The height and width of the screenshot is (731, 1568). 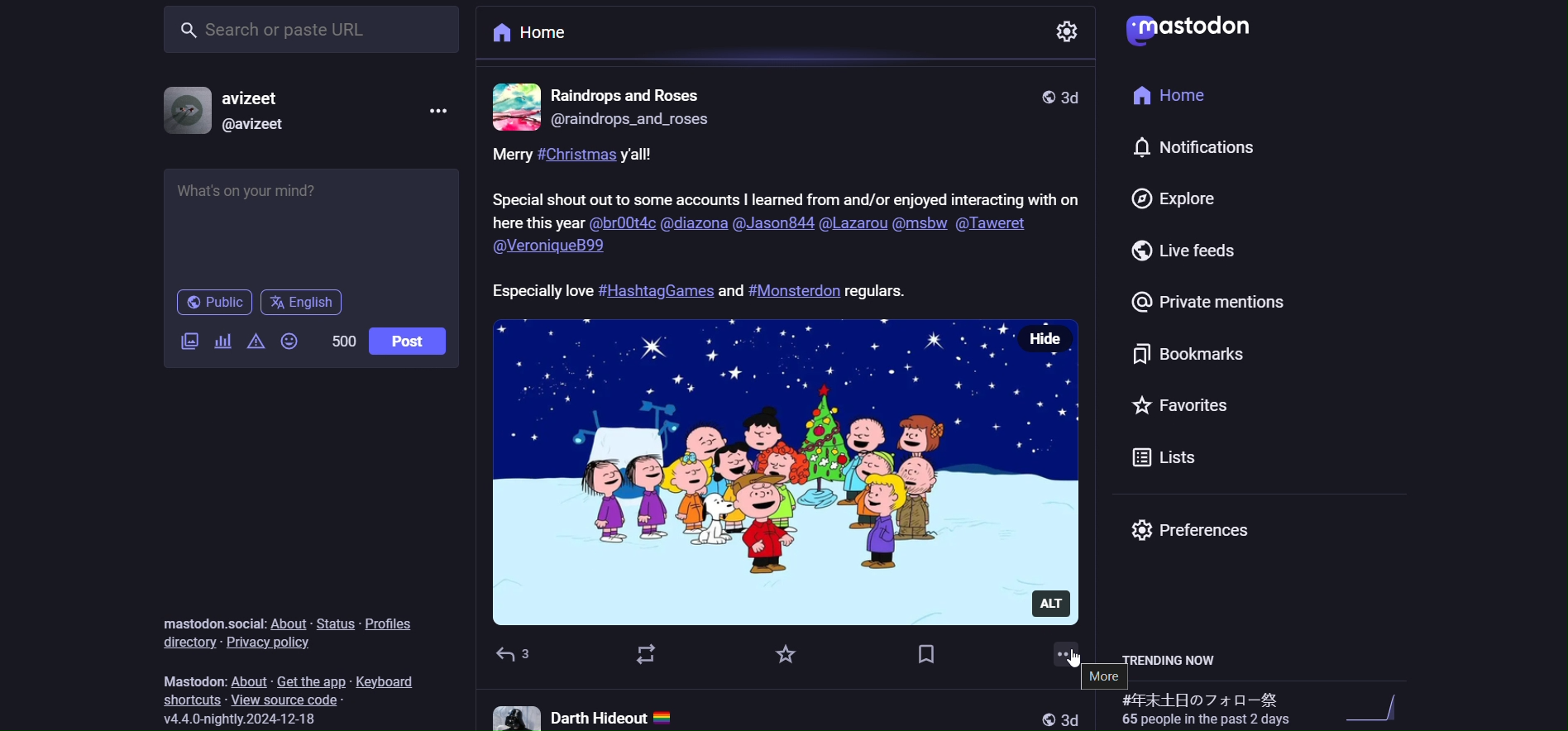 What do you see at coordinates (1182, 403) in the screenshot?
I see `favorite` at bounding box center [1182, 403].